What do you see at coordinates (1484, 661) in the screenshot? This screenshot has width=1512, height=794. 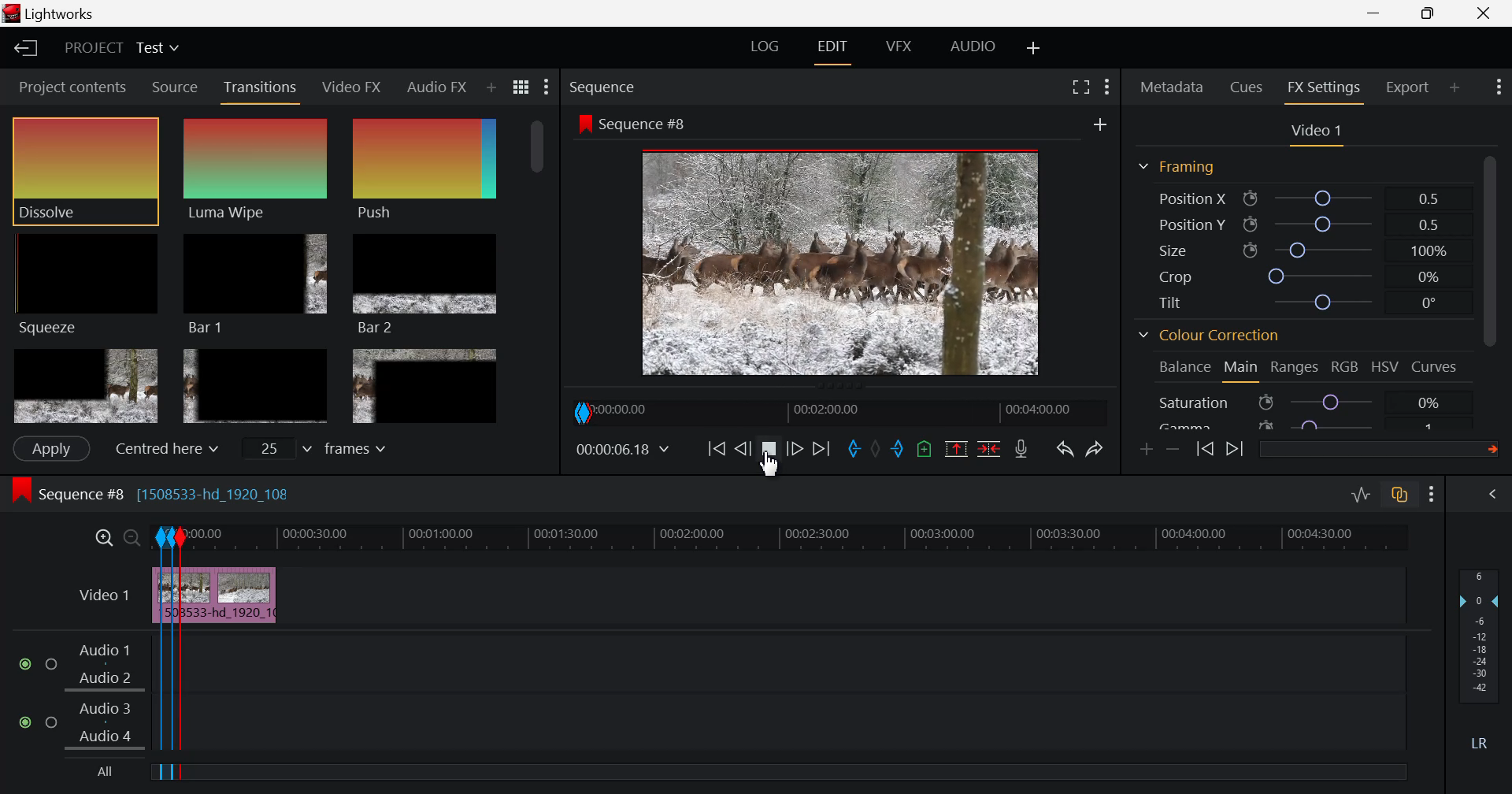 I see `Audio Level` at bounding box center [1484, 661].